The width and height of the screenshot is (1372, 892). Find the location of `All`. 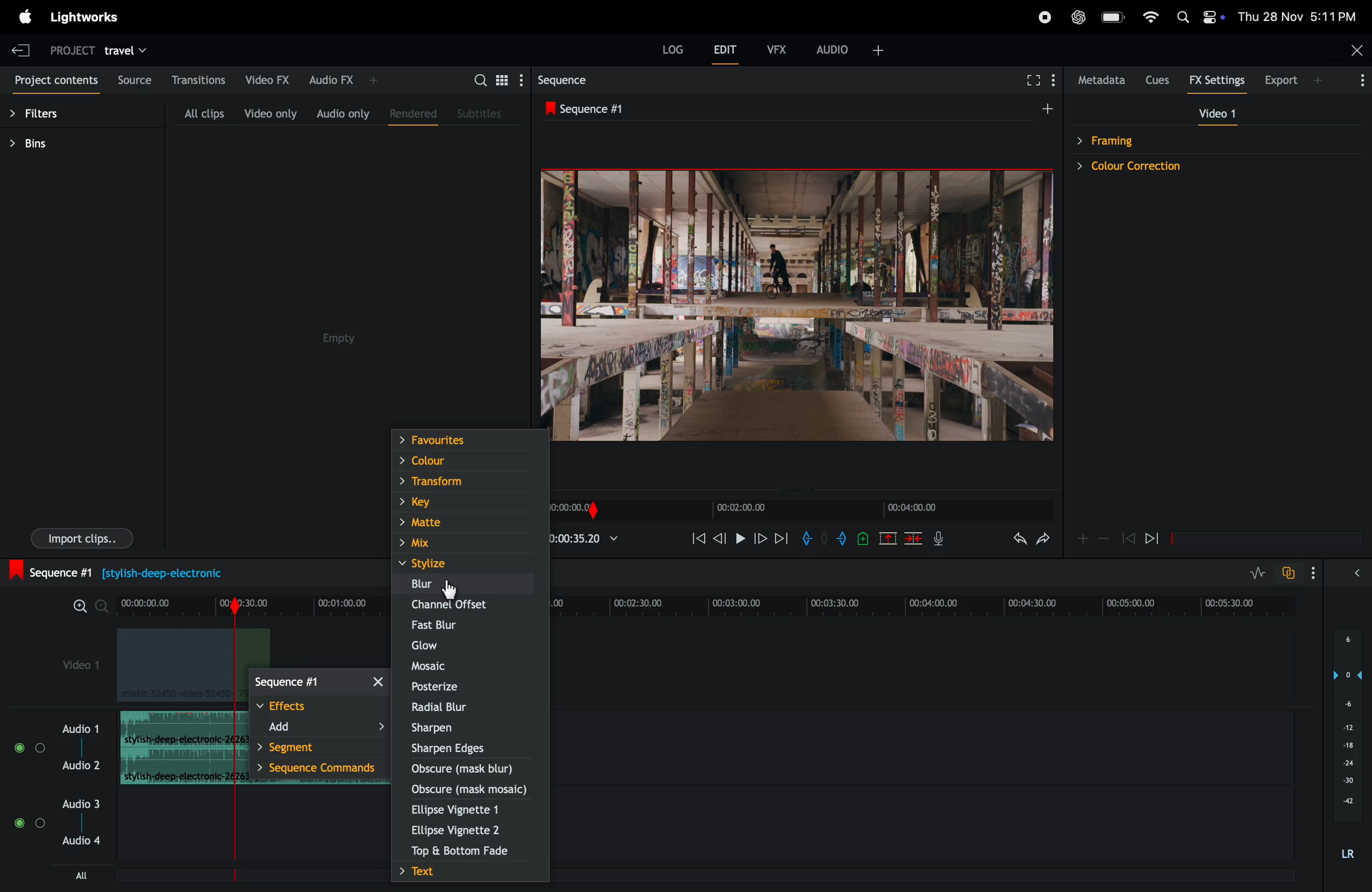

All is located at coordinates (93, 875).